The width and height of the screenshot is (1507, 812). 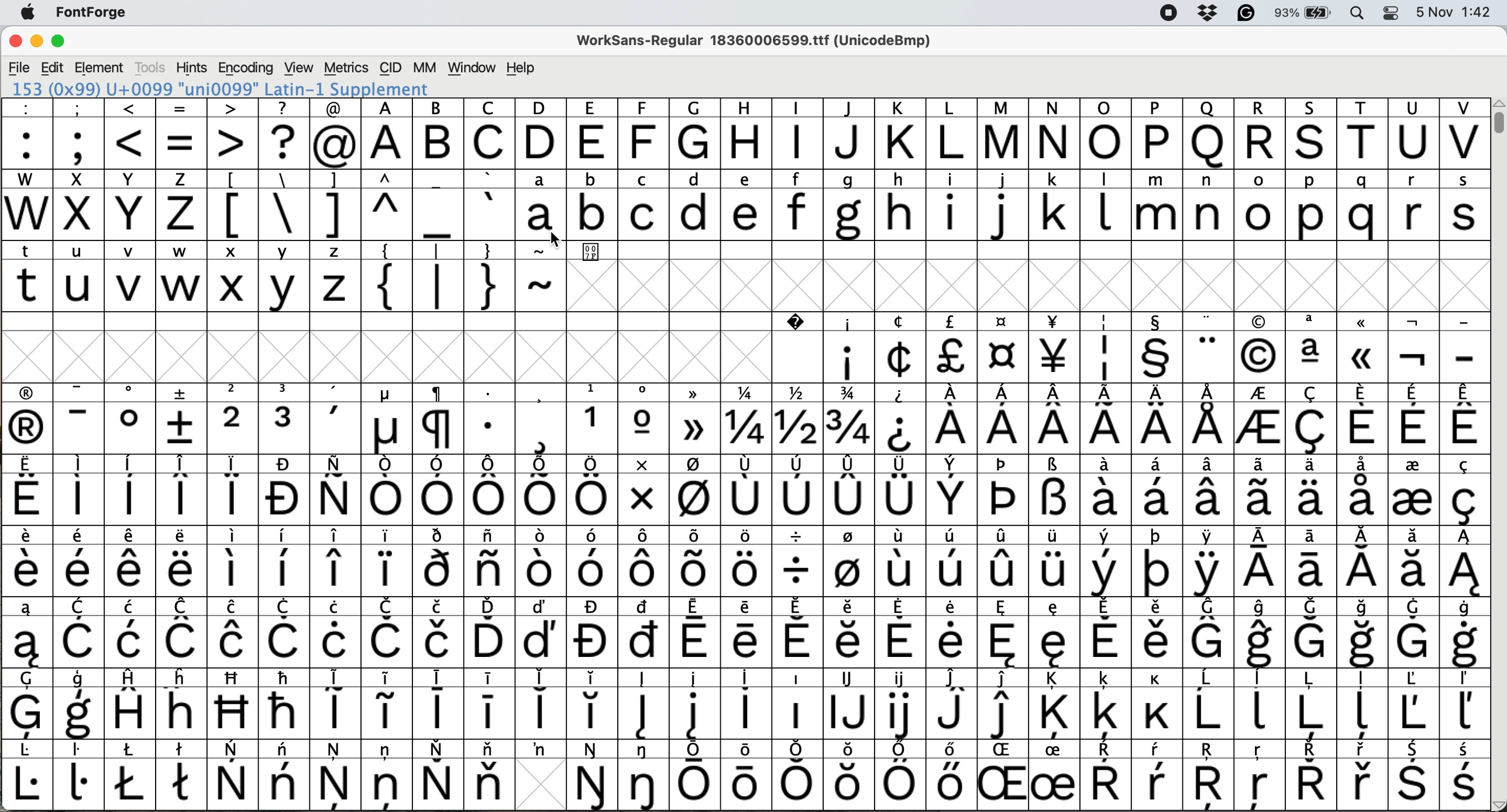 I want to click on symbol, so click(x=387, y=773).